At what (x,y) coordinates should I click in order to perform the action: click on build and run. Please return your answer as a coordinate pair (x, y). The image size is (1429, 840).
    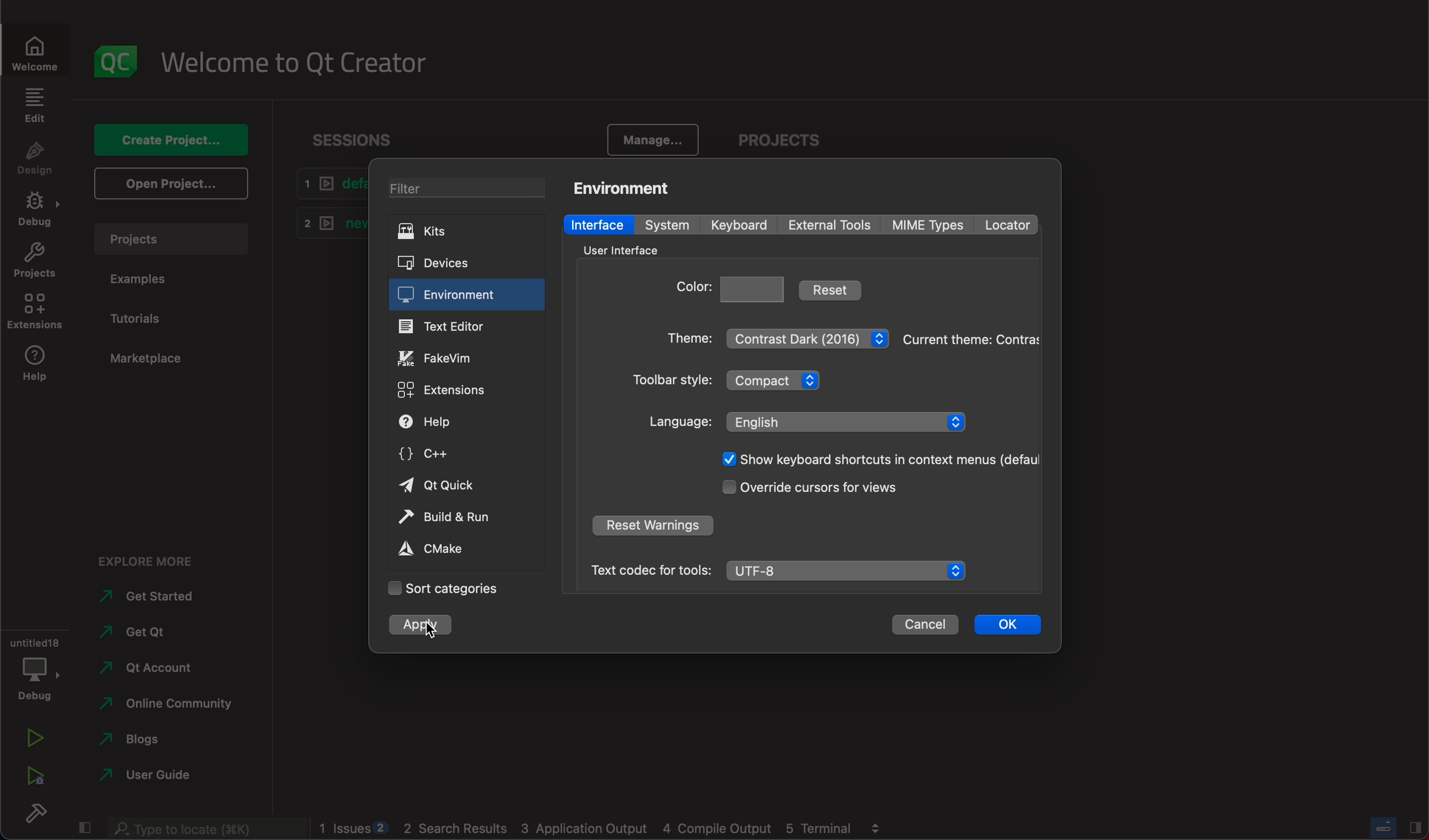
    Looking at the image, I should click on (462, 519).